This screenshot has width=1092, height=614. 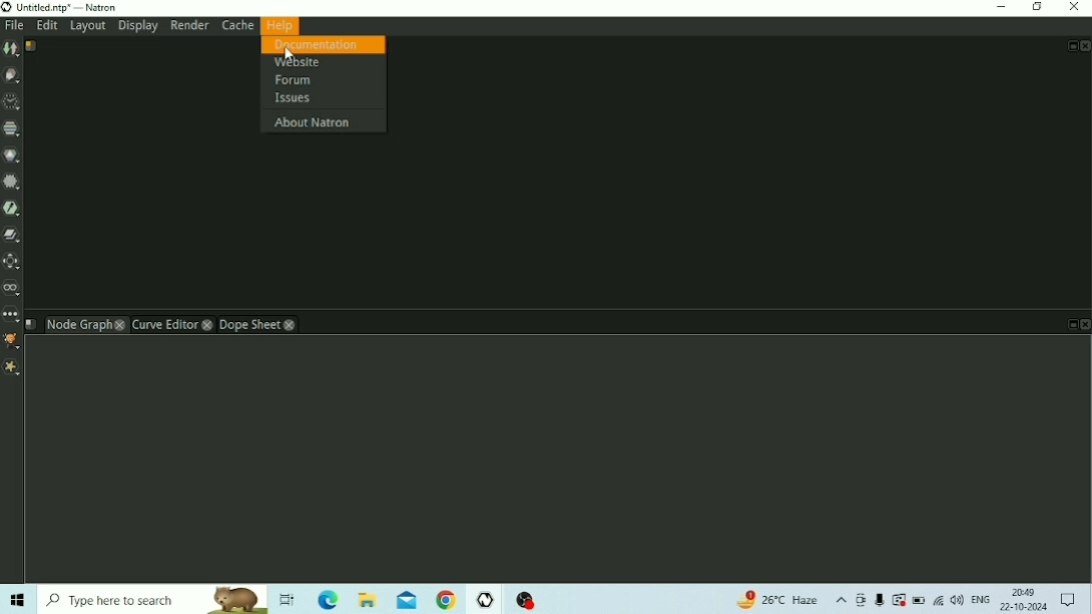 I want to click on Edit, so click(x=47, y=25).